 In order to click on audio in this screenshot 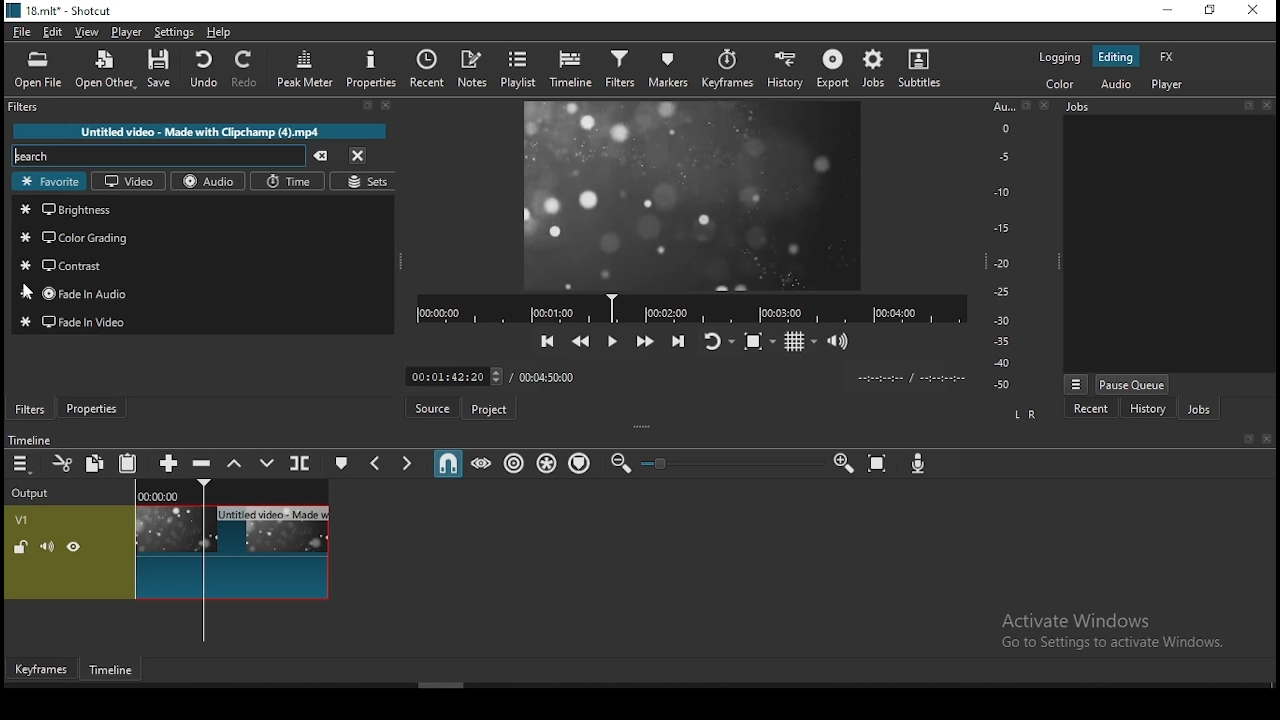, I will do `click(211, 181)`.